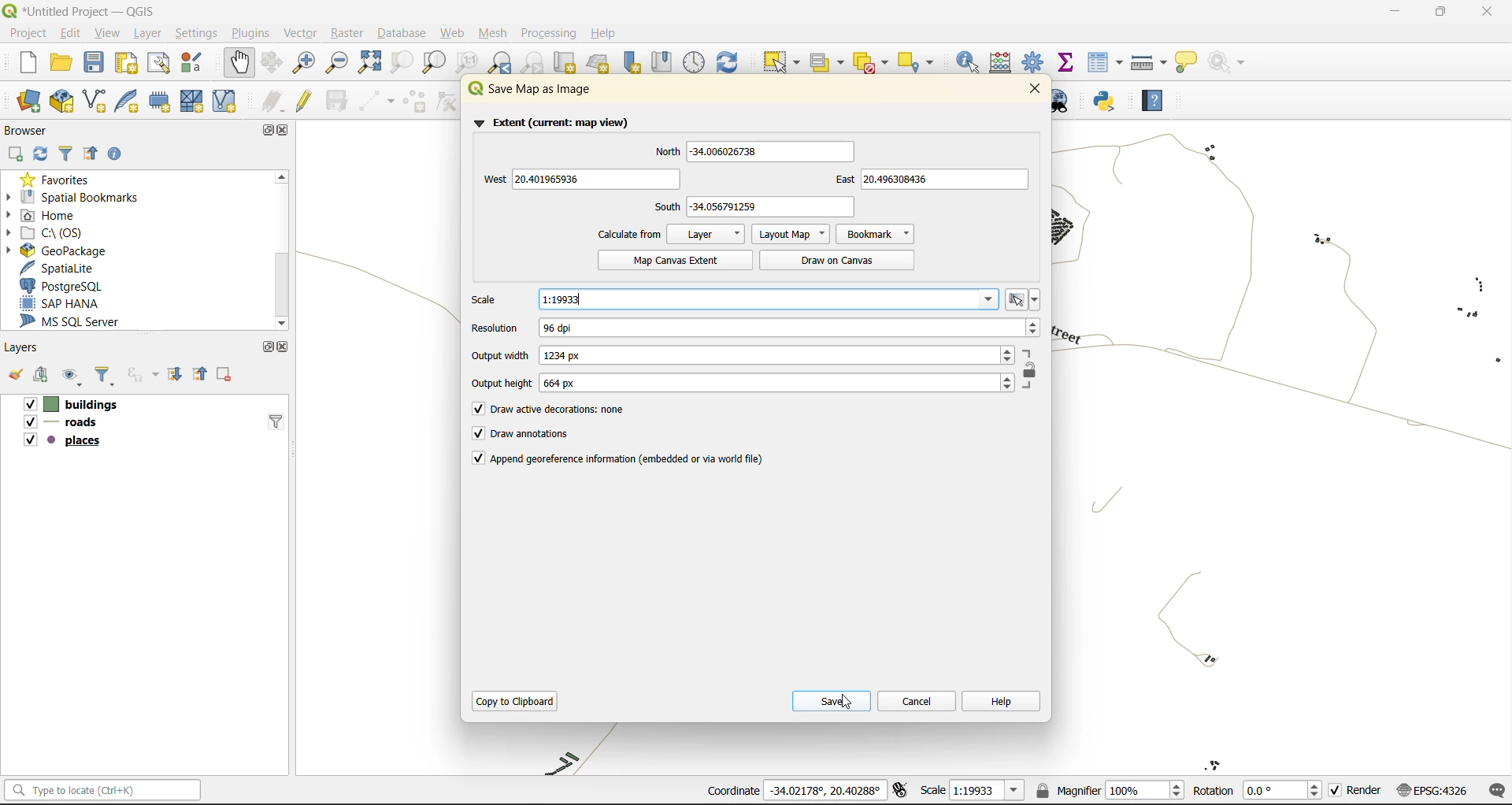 The image size is (1512, 805). I want to click on layout map, so click(788, 235).